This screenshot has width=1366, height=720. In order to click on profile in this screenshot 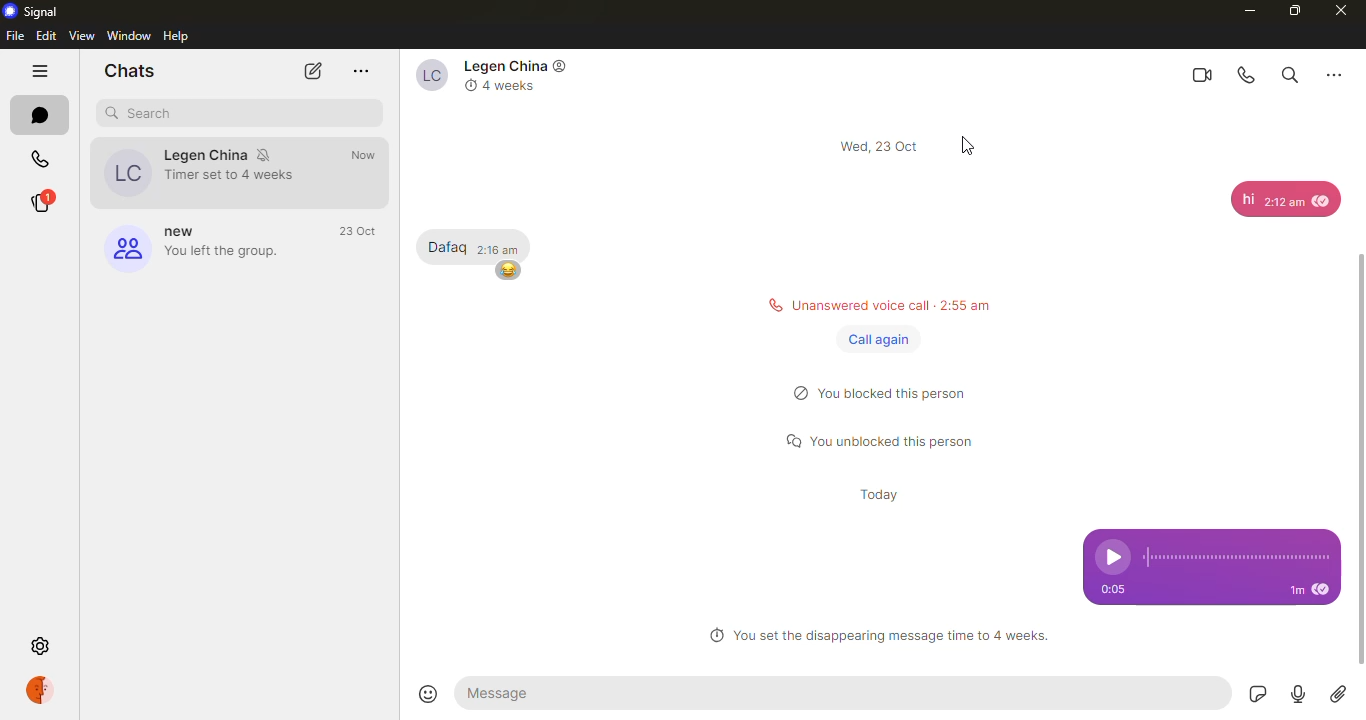, I will do `click(46, 691)`.